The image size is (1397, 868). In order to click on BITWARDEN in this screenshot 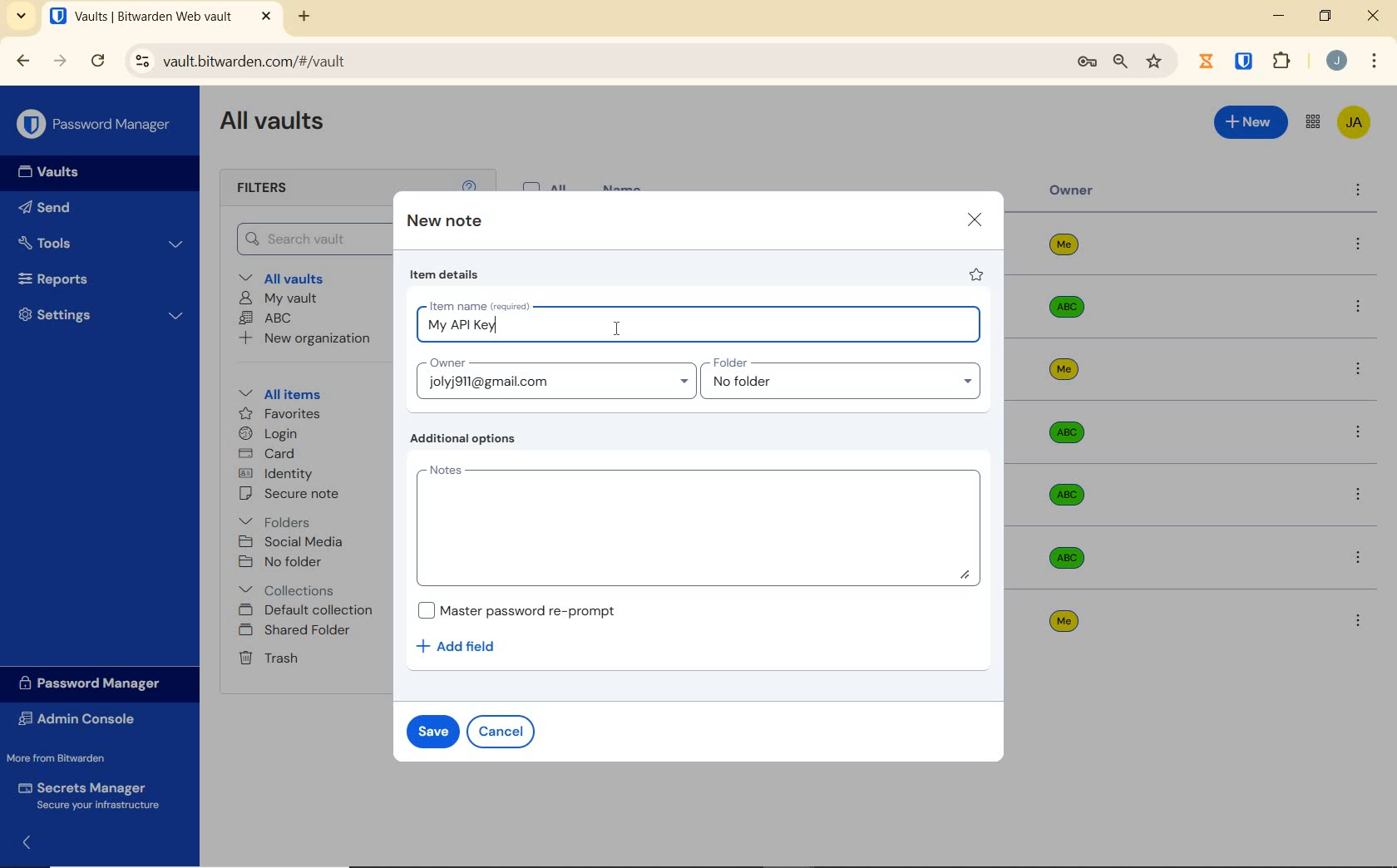, I will do `click(1245, 62)`.